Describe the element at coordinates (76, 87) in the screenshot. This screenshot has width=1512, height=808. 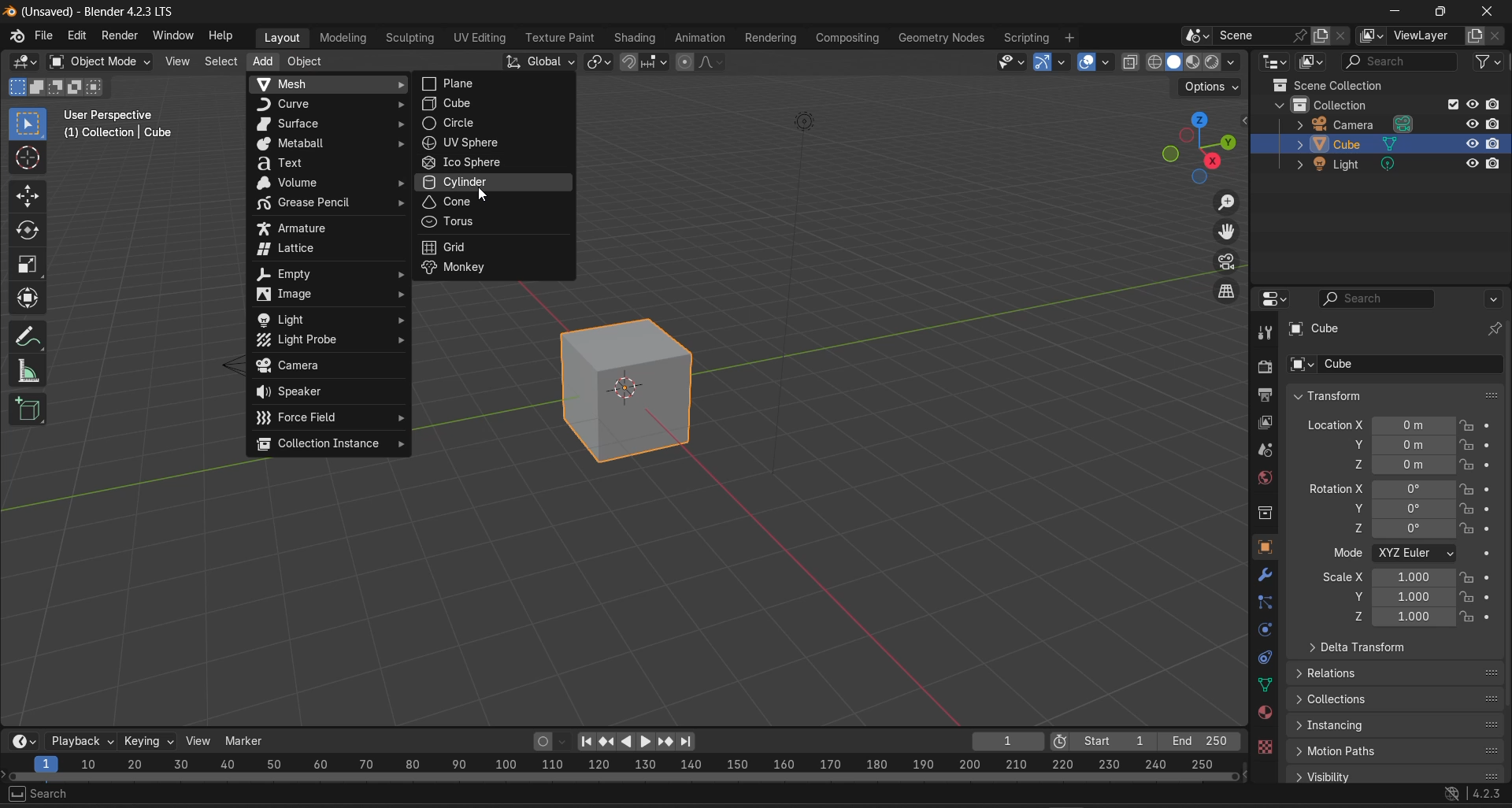
I see `mode: invert existing selection` at that location.